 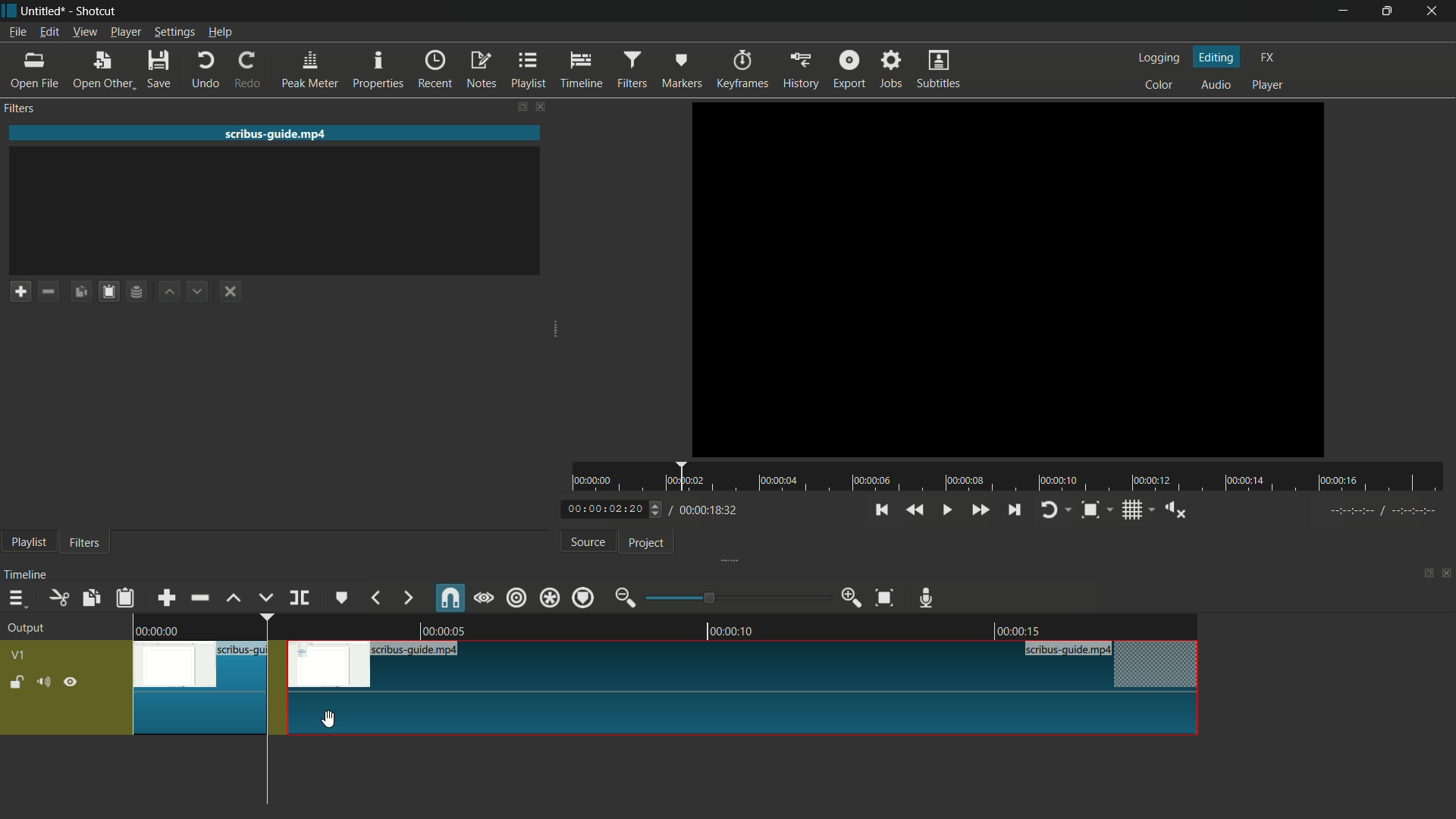 What do you see at coordinates (737, 598) in the screenshot?
I see `adjustment bar` at bounding box center [737, 598].